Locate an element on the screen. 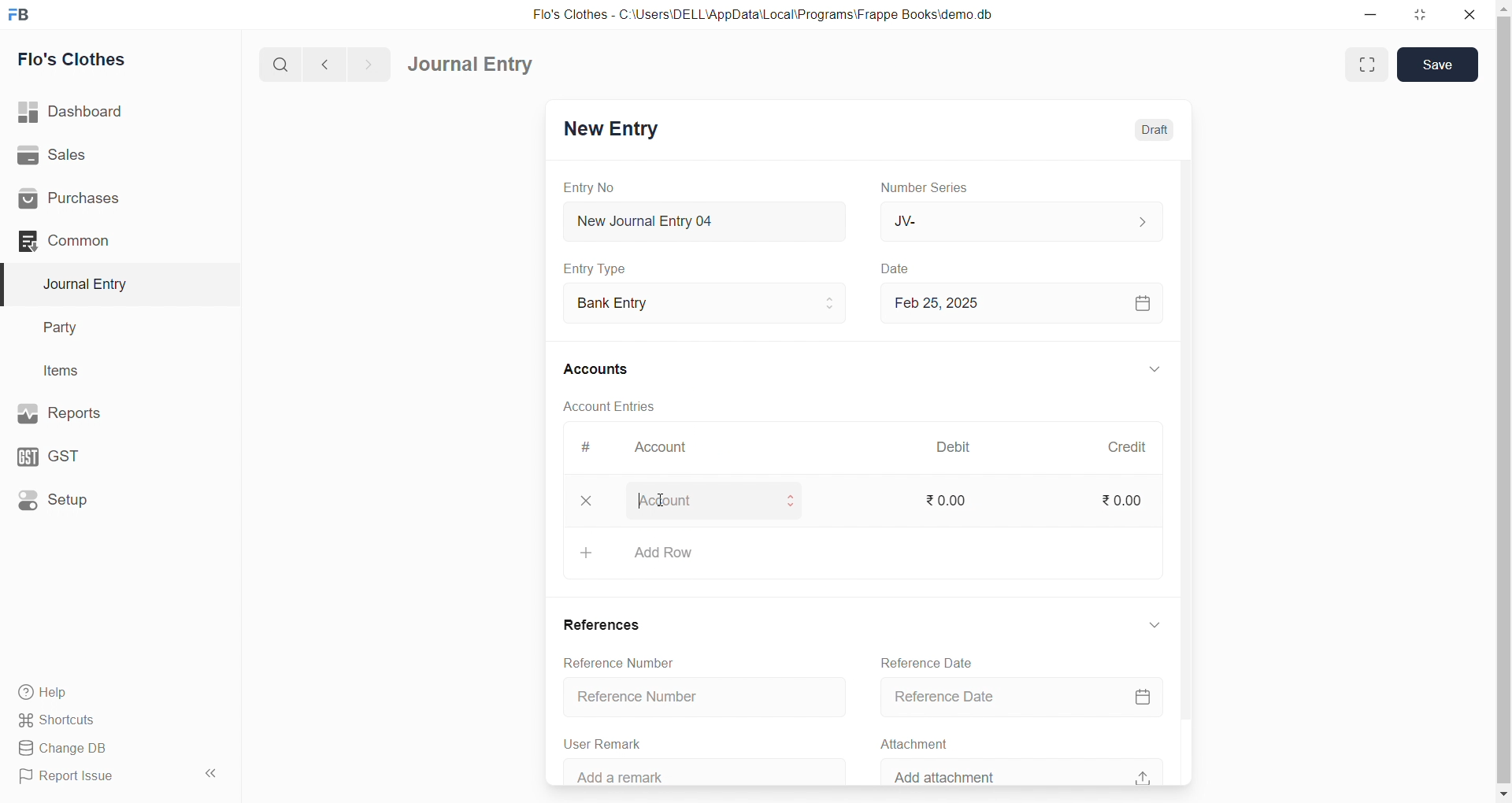  scroll bar is located at coordinates (1503, 402).